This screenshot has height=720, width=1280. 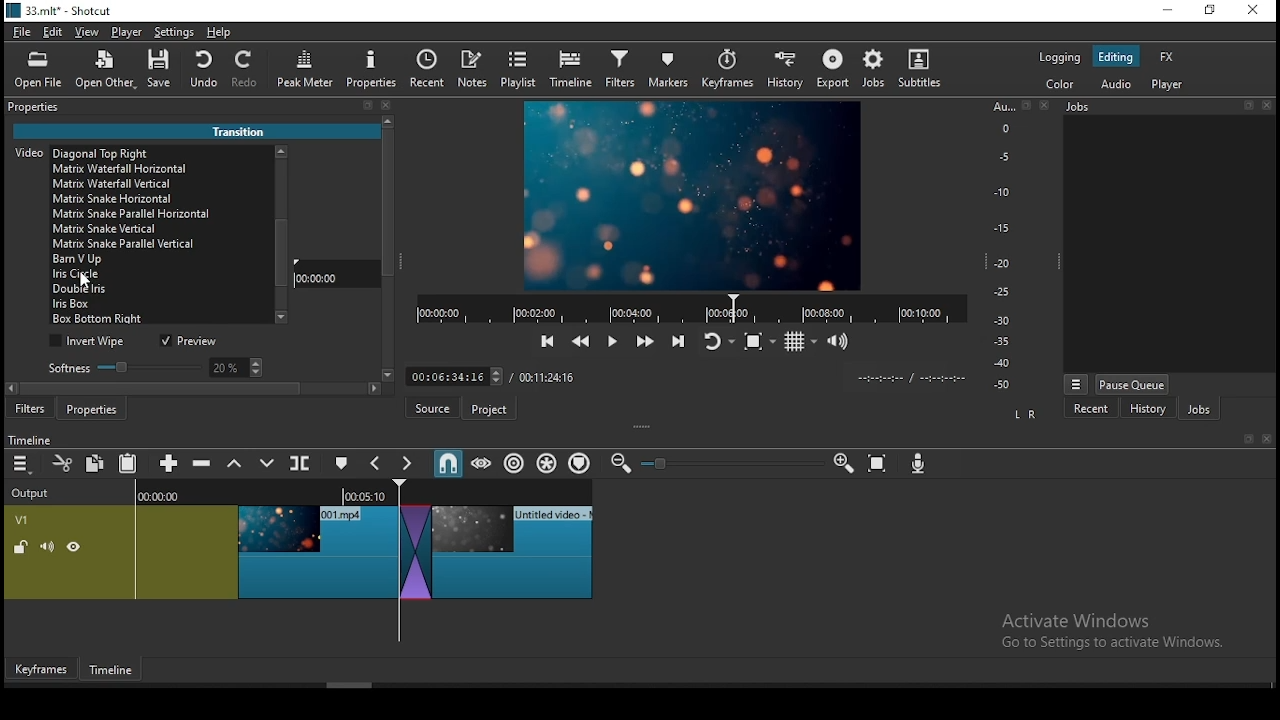 I want to click on zoom timeline out, so click(x=618, y=464).